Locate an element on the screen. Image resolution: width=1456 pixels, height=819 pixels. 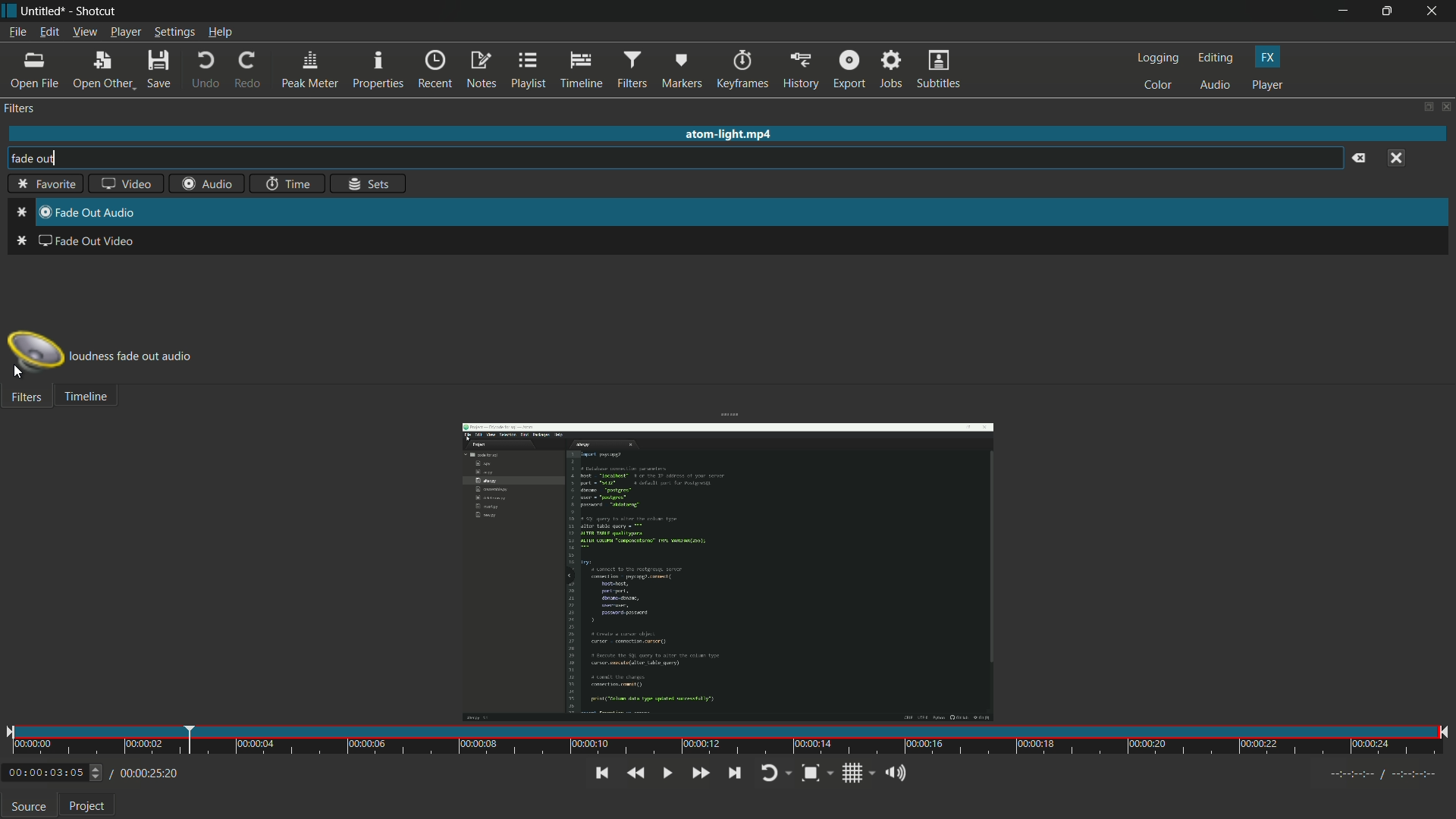
filters is located at coordinates (632, 70).